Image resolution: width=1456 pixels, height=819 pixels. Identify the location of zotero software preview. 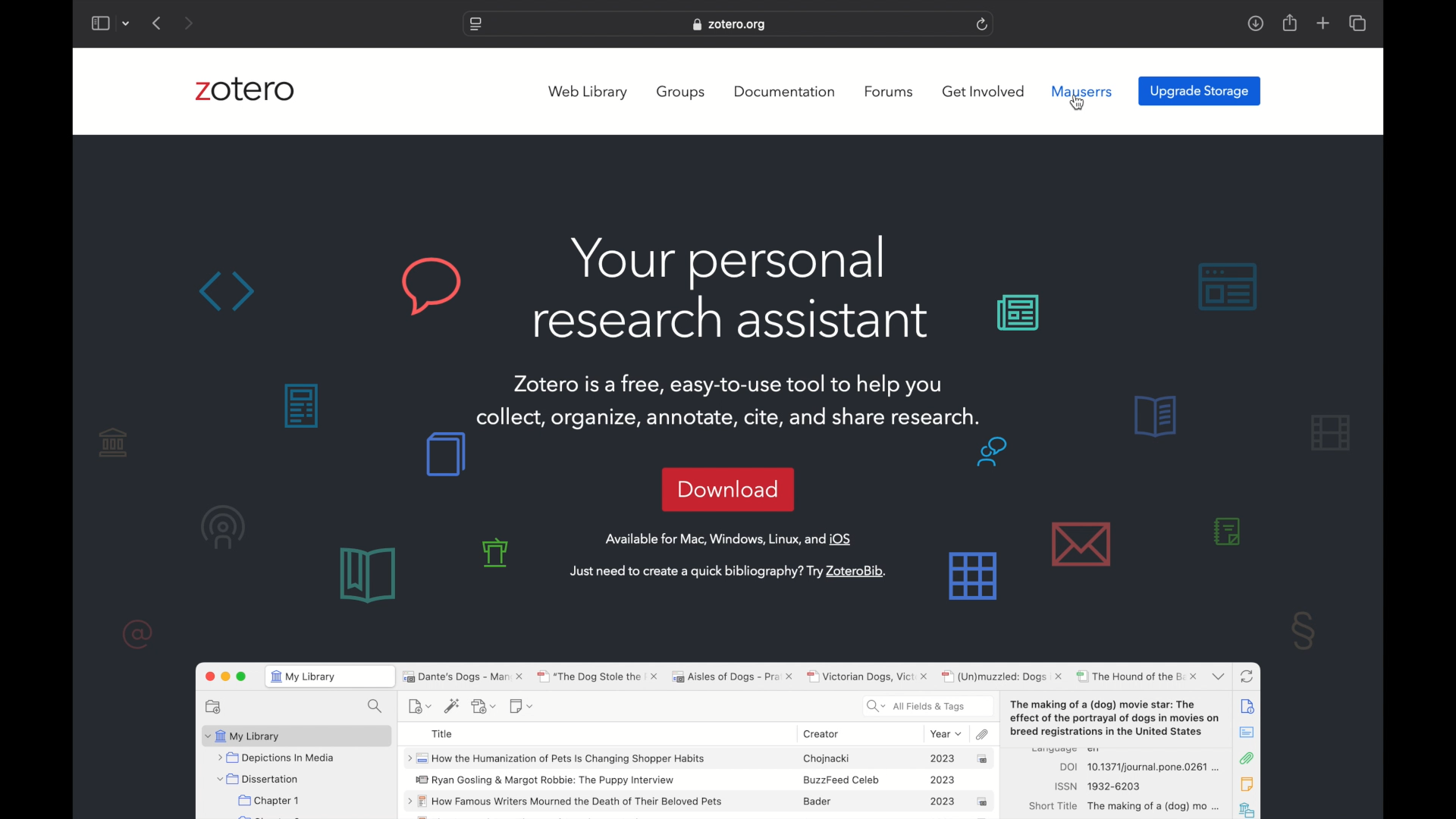
(729, 737).